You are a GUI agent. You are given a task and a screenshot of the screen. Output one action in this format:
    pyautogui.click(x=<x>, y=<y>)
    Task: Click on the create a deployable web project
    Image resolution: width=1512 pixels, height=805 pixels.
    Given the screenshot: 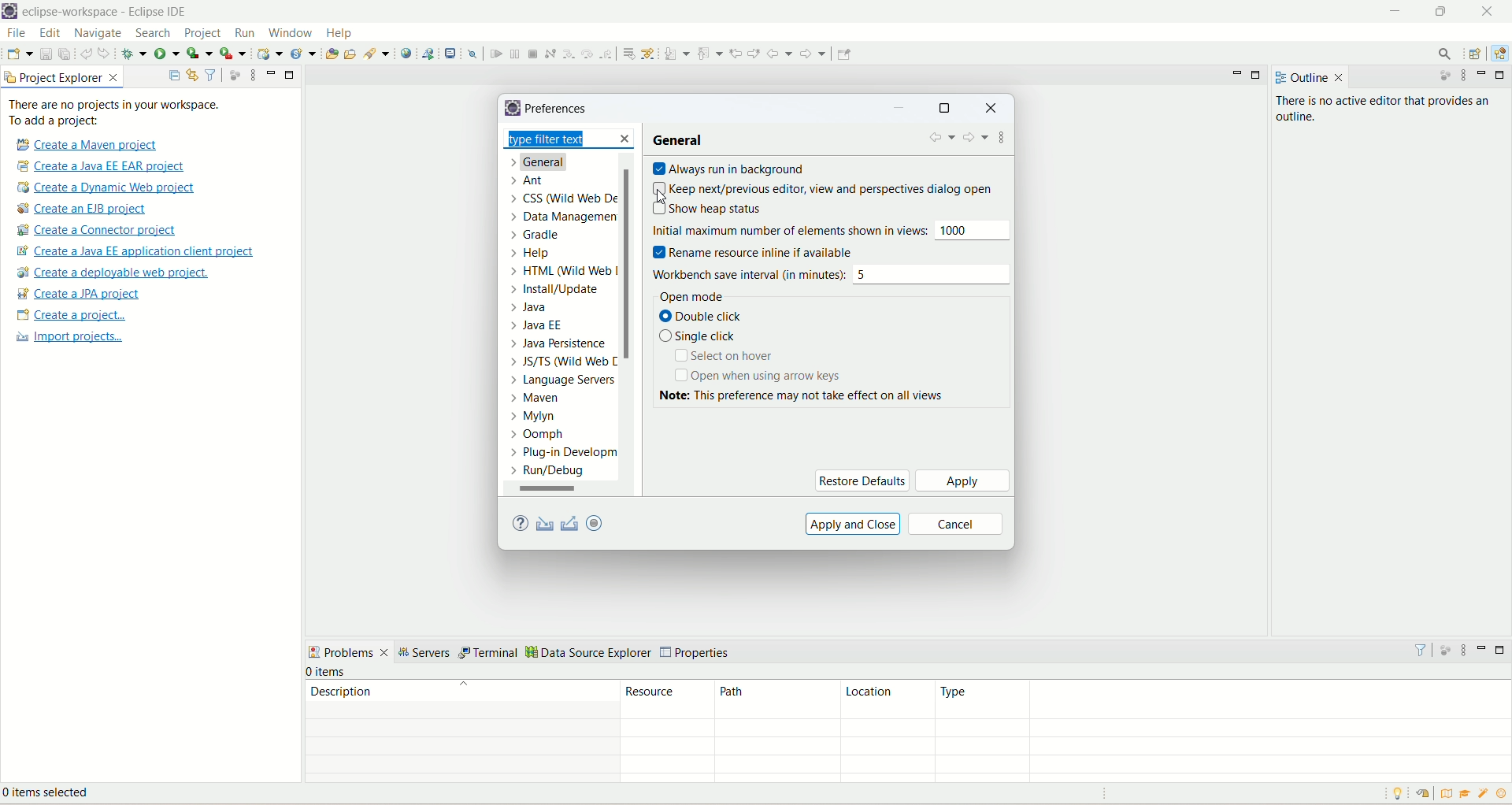 What is the action you would take?
    pyautogui.click(x=114, y=273)
    